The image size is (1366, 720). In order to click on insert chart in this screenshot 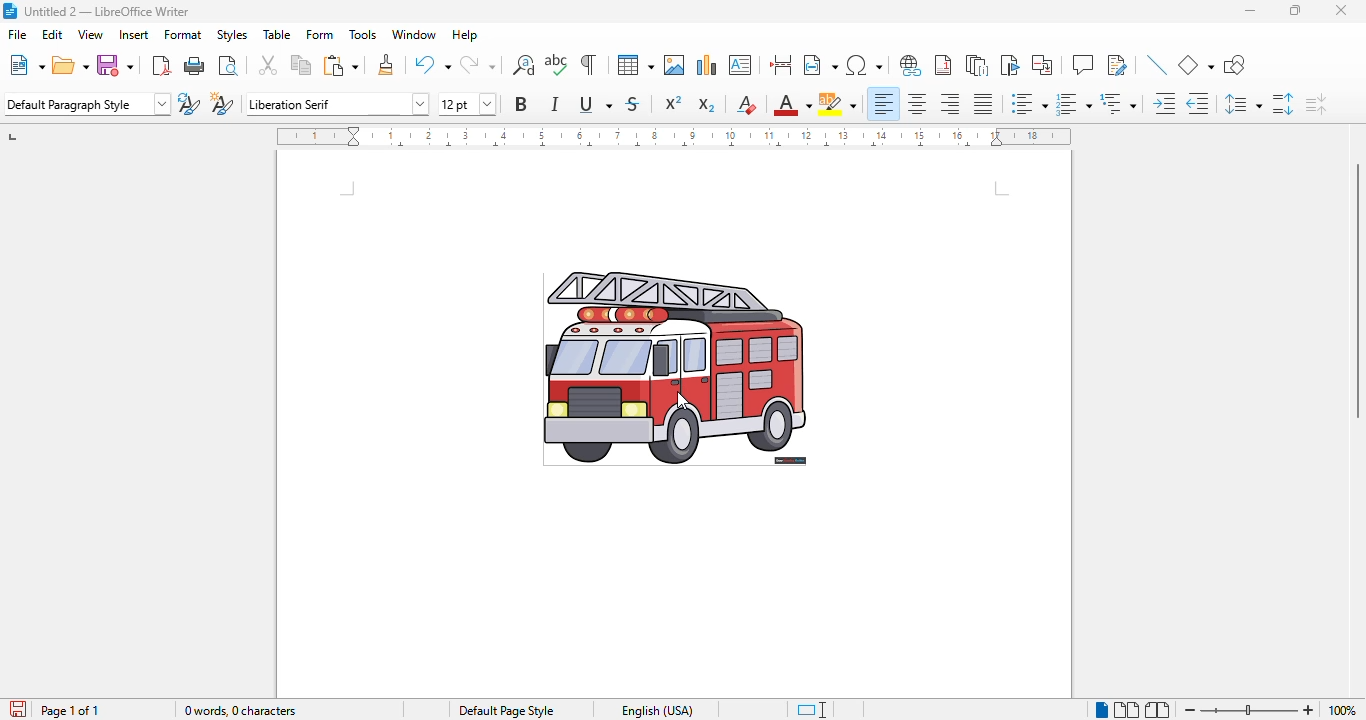, I will do `click(706, 65)`.